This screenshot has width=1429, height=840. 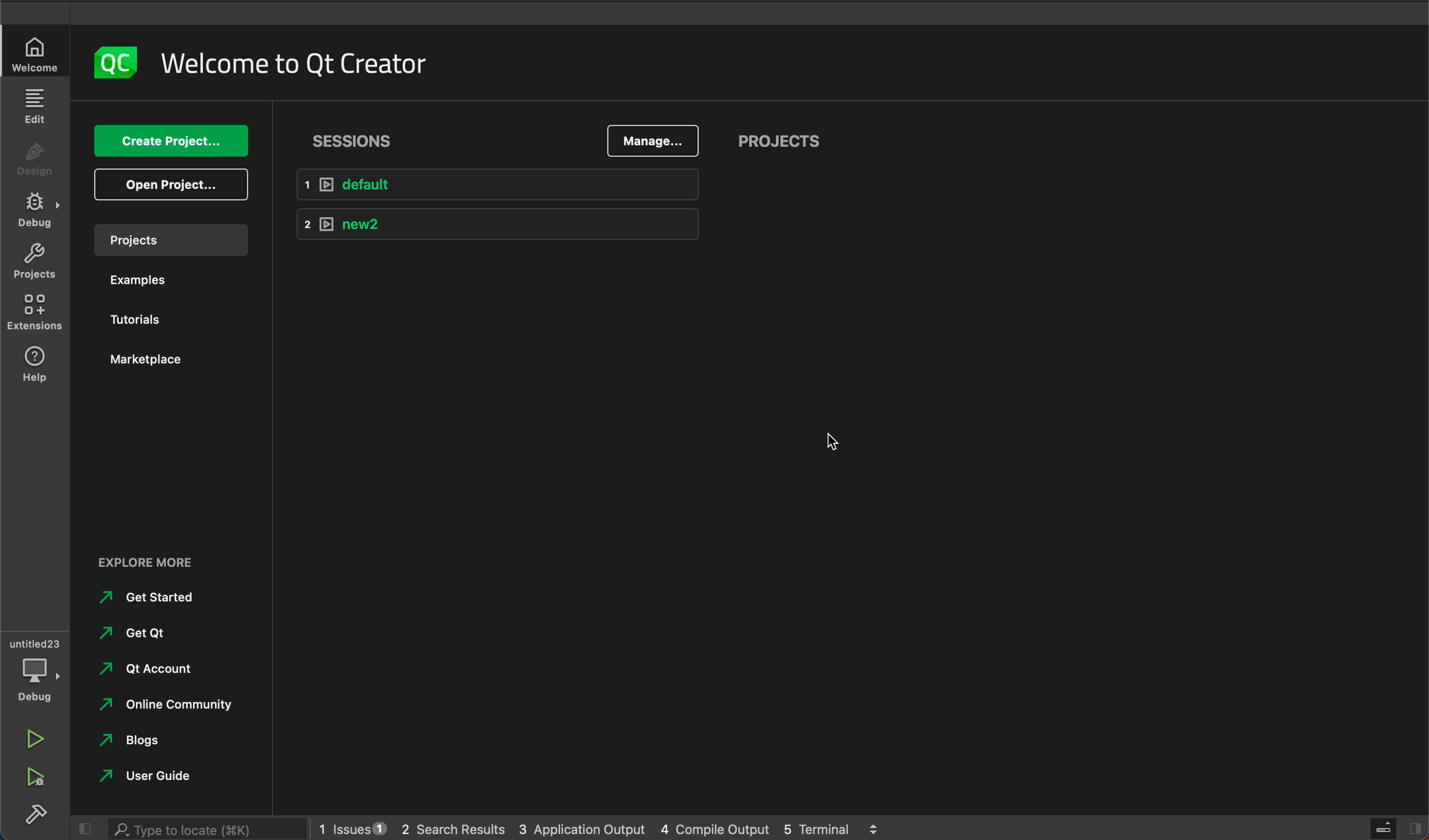 I want to click on logo, so click(x=108, y=63).